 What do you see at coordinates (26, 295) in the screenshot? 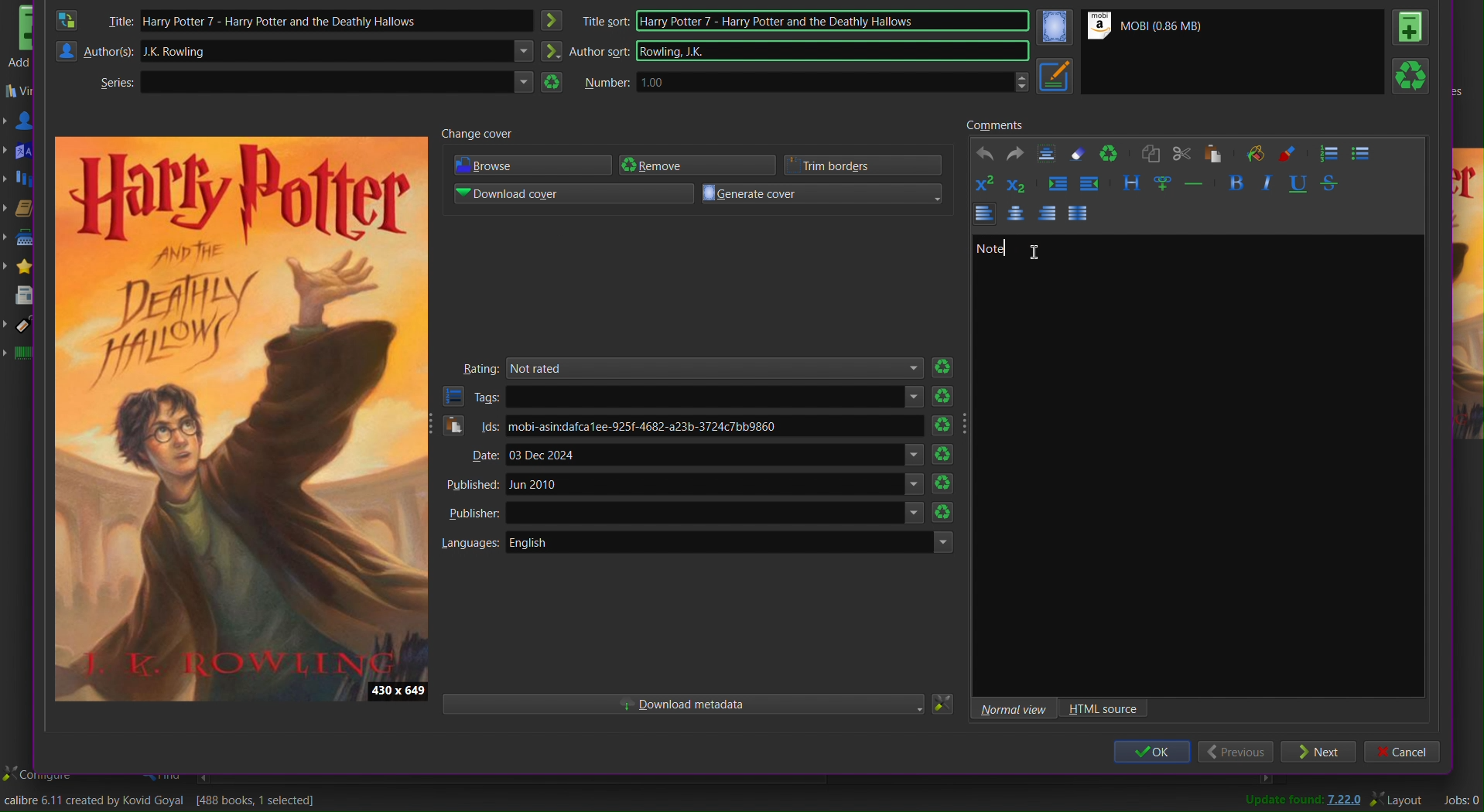
I see `News` at bounding box center [26, 295].